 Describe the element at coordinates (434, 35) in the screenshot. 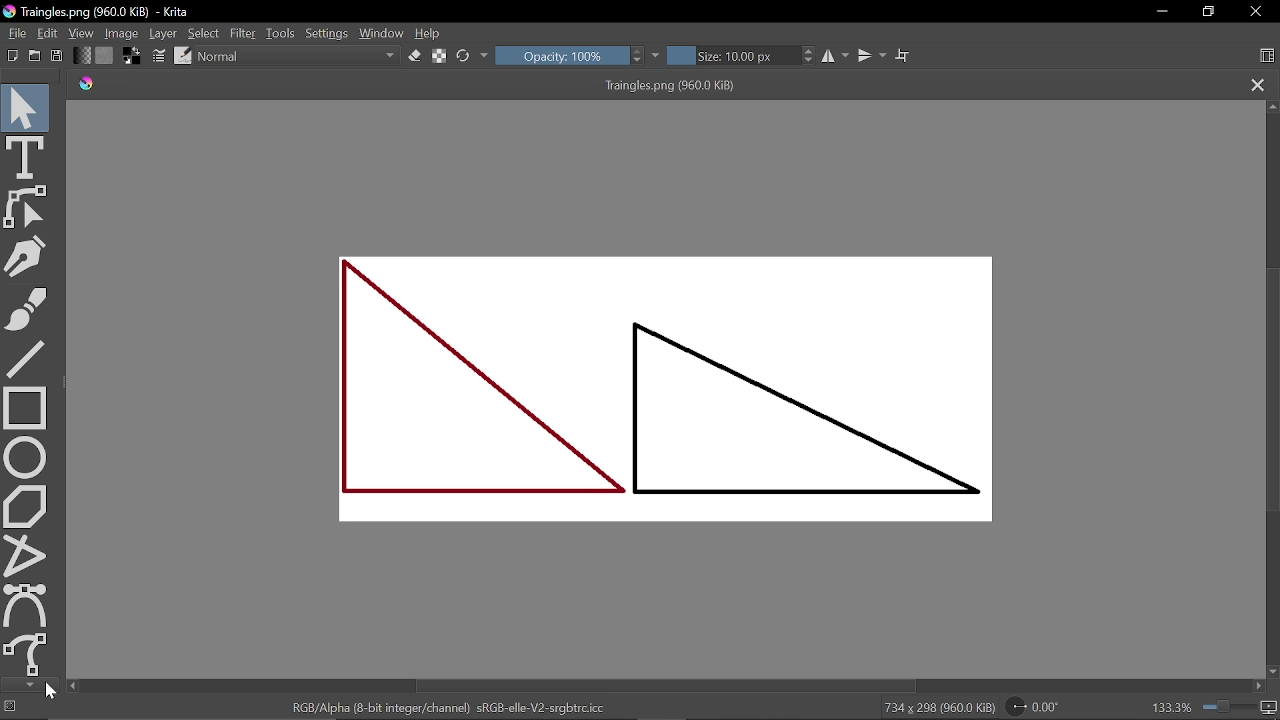

I see `Help` at that location.